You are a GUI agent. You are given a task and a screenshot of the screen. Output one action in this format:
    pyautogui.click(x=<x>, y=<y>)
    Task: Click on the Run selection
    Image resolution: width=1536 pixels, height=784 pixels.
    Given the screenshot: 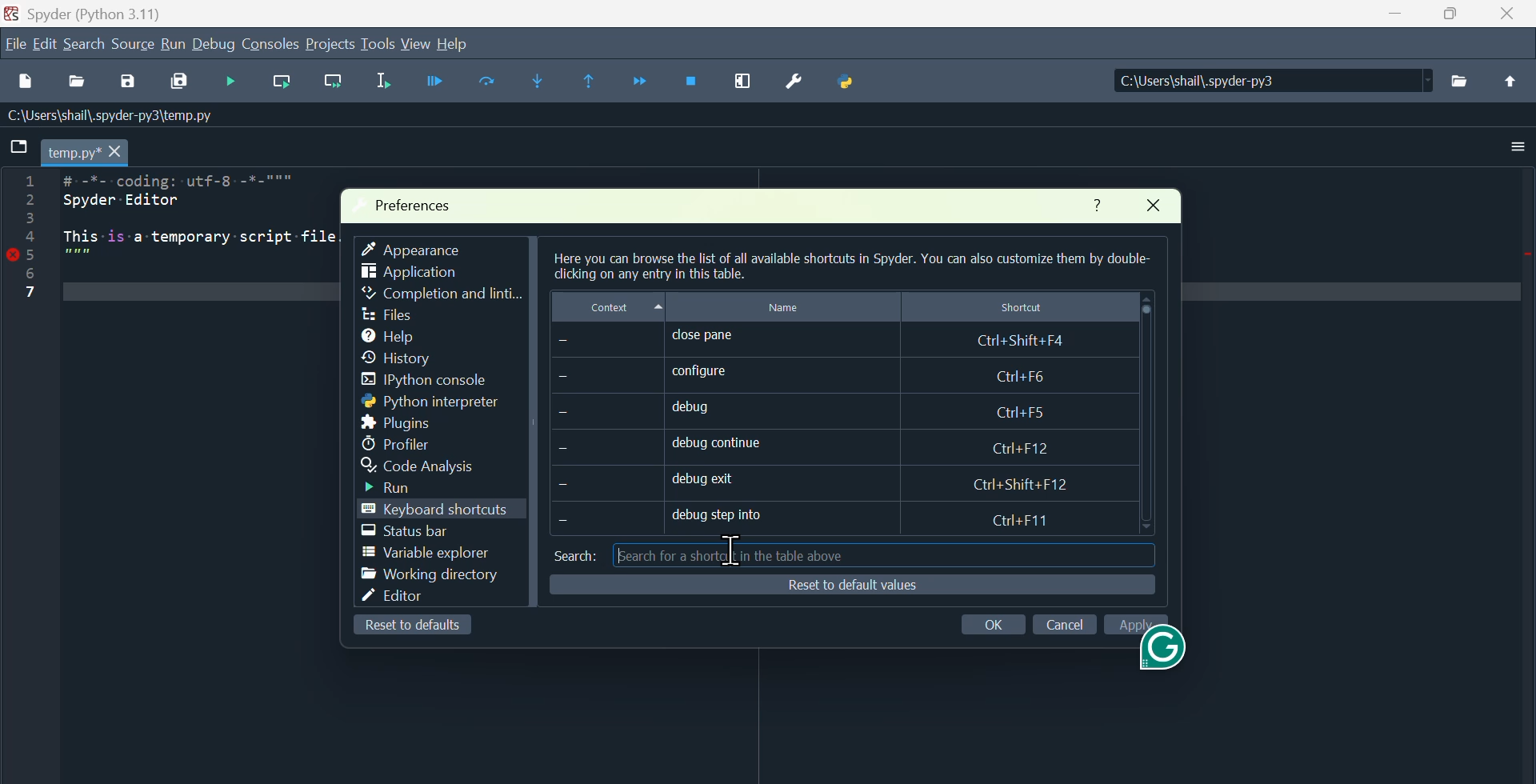 What is the action you would take?
    pyautogui.click(x=388, y=82)
    